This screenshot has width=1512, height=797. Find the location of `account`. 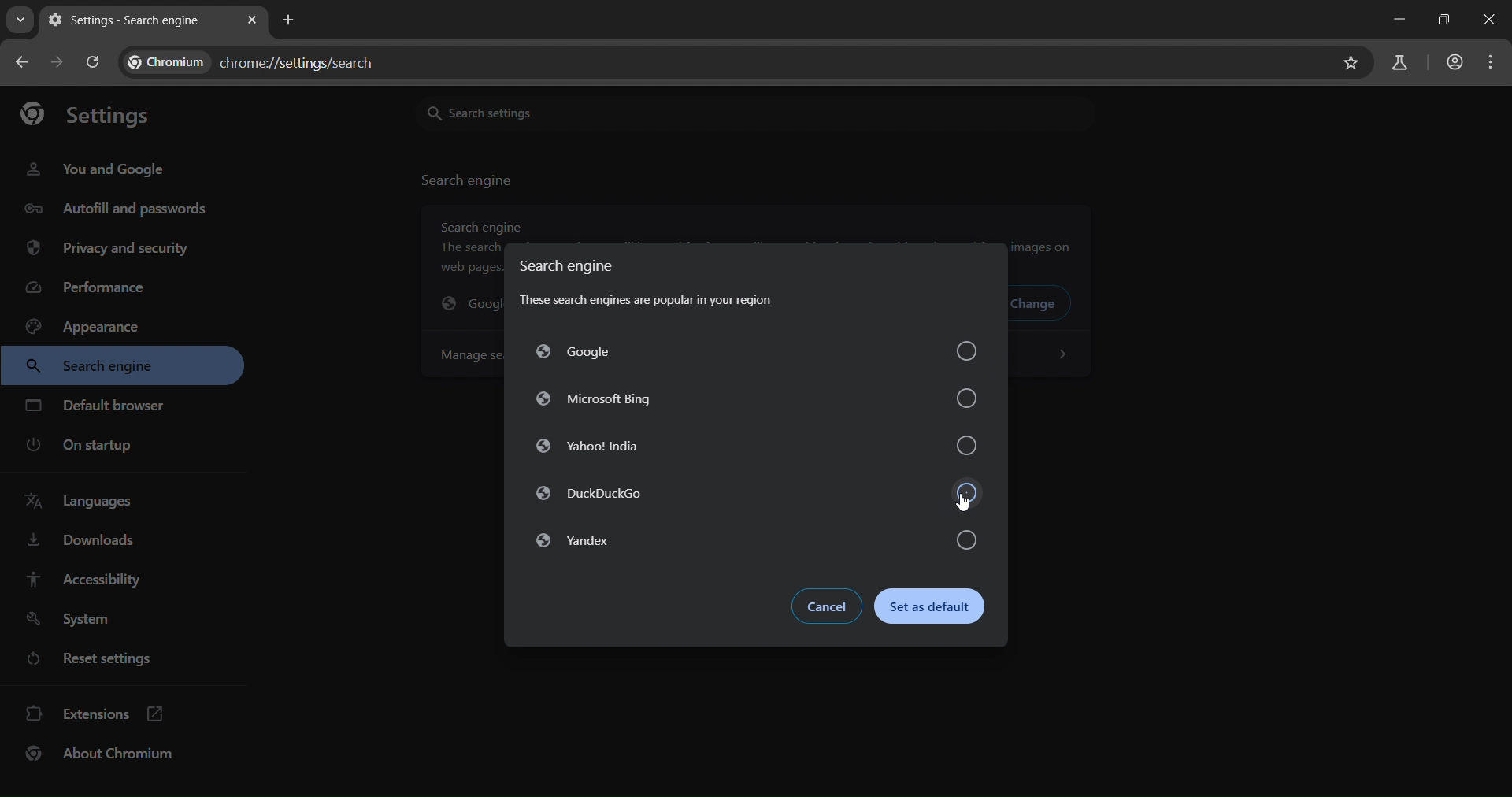

account is located at coordinates (1455, 65).